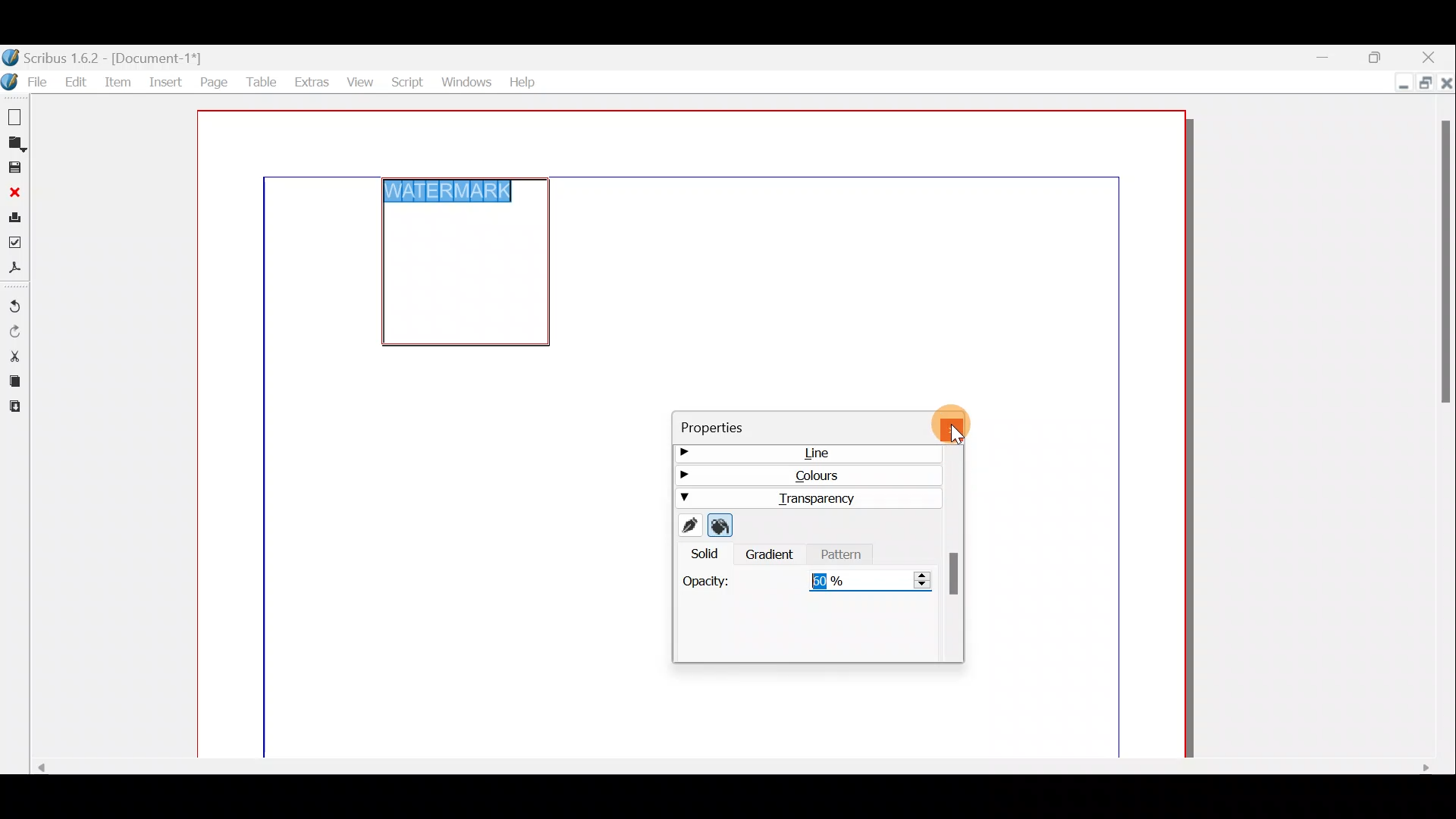 This screenshot has height=819, width=1456. Describe the element at coordinates (926, 579) in the screenshot. I see `Set the transparency for the colour selected` at that location.